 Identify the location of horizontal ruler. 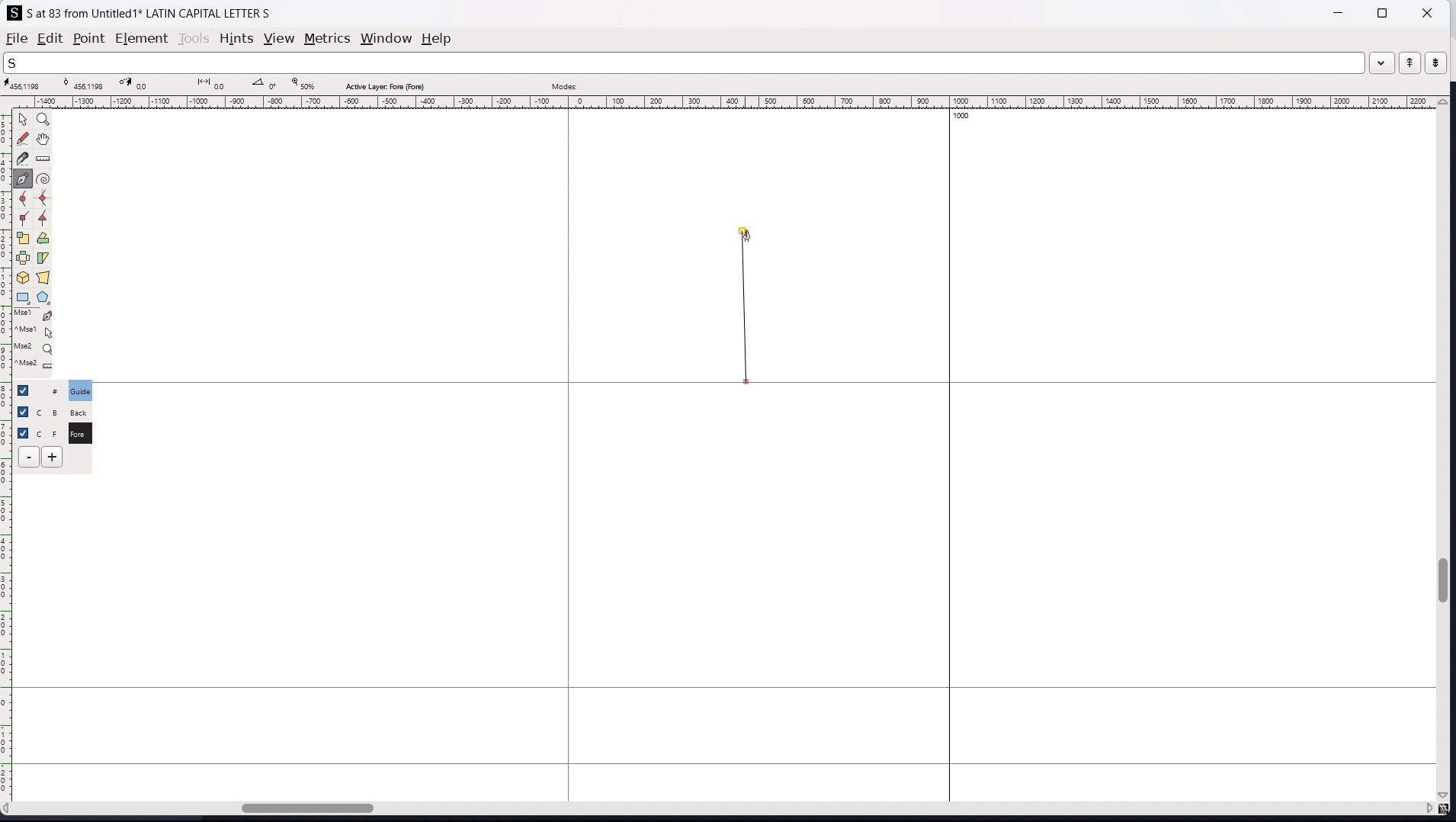
(720, 102).